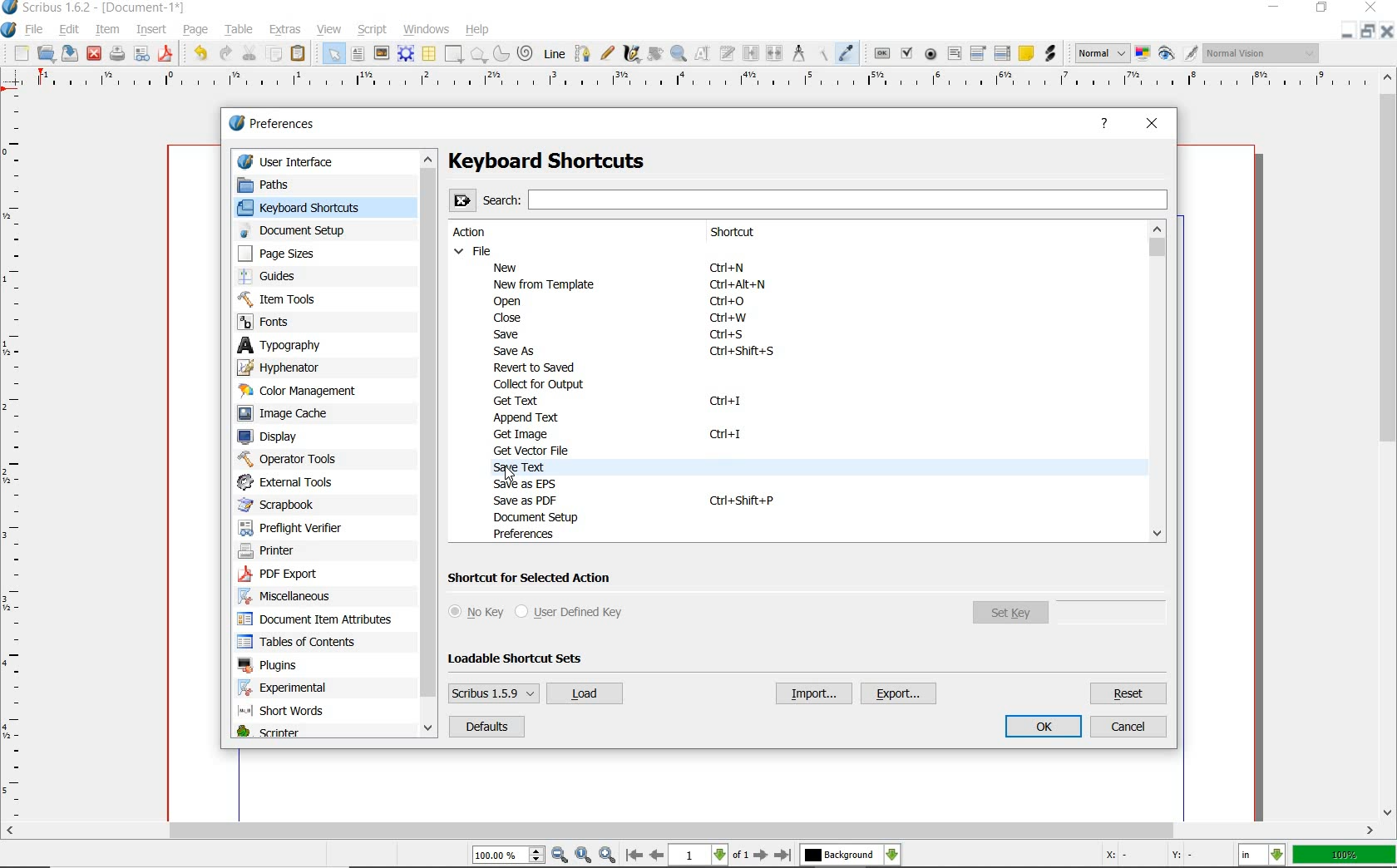 The image size is (1397, 868). Describe the element at coordinates (1389, 445) in the screenshot. I see `scrollbar` at that location.